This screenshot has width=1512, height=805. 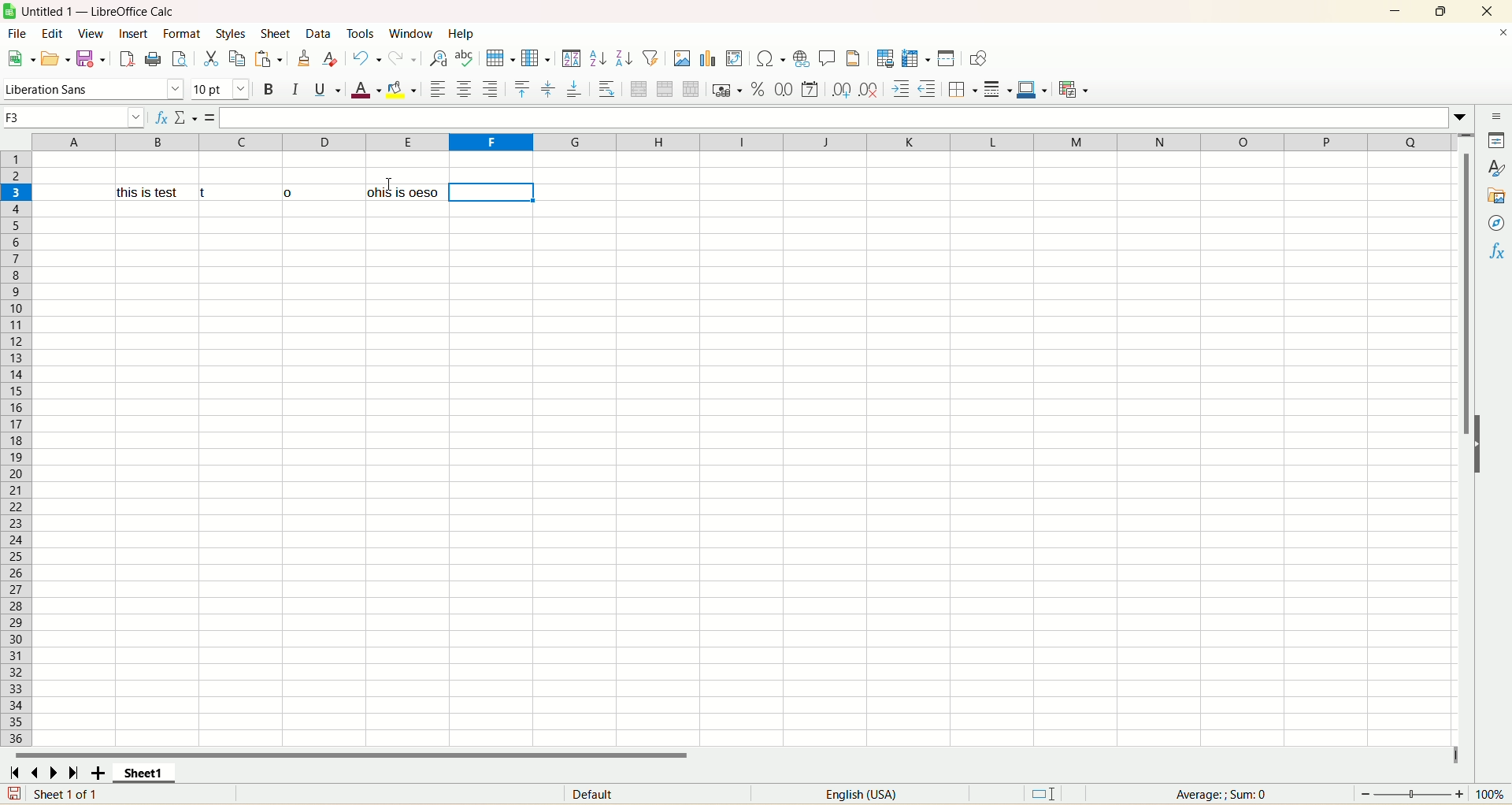 What do you see at coordinates (403, 57) in the screenshot?
I see `redo` at bounding box center [403, 57].